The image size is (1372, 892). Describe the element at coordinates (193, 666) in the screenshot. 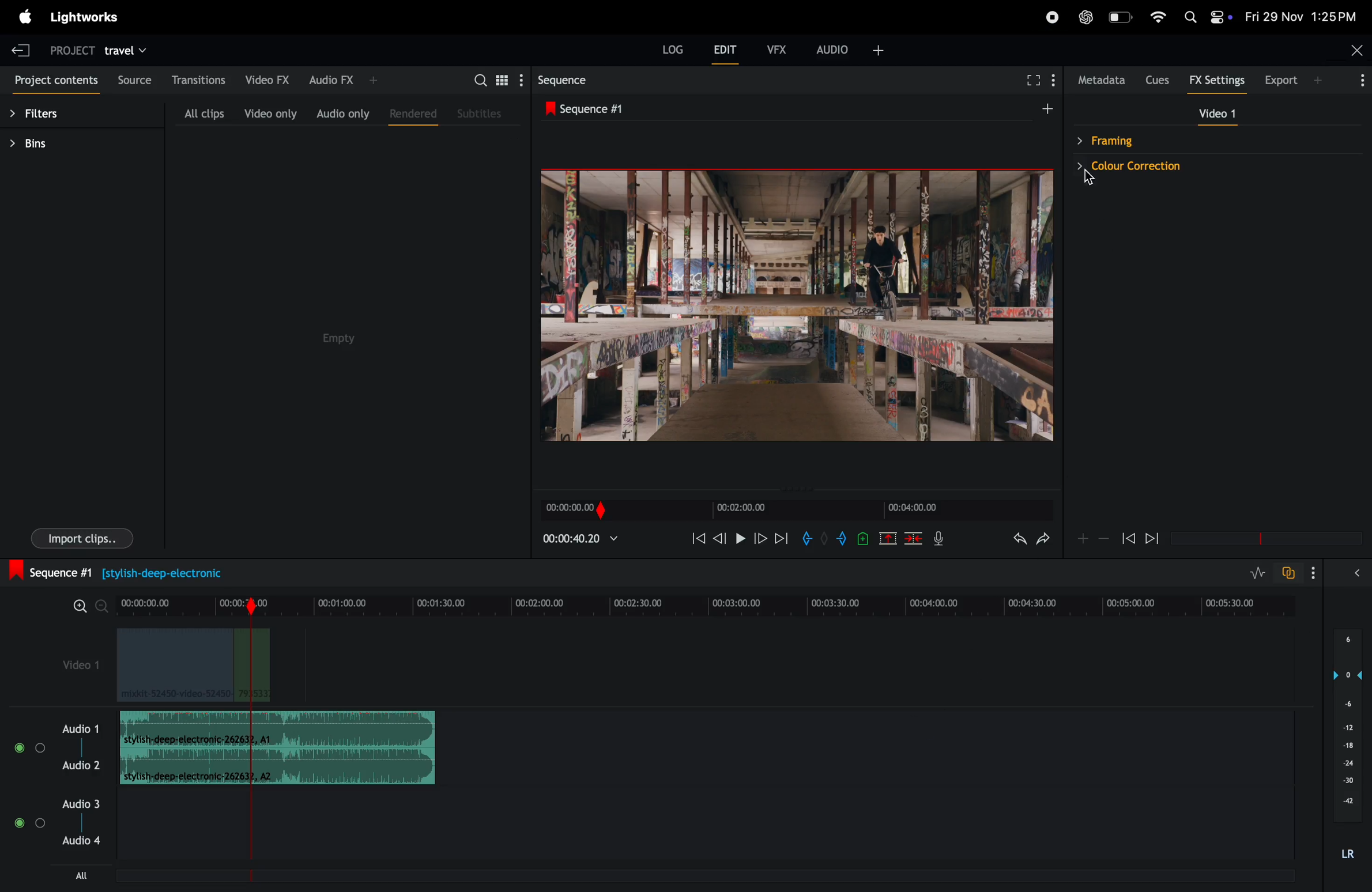

I see `video clips` at that location.